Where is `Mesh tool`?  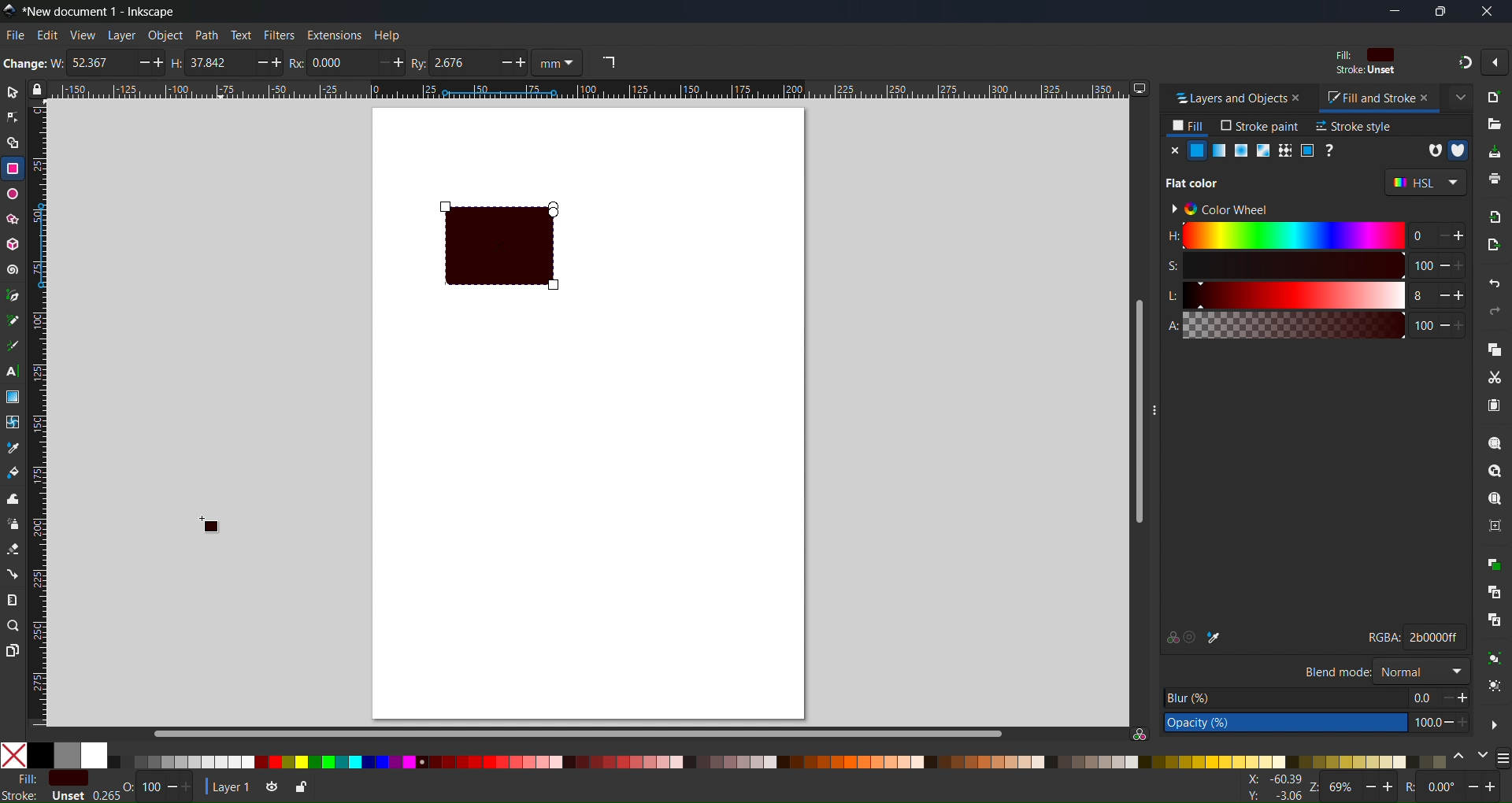
Mesh tool is located at coordinates (13, 422).